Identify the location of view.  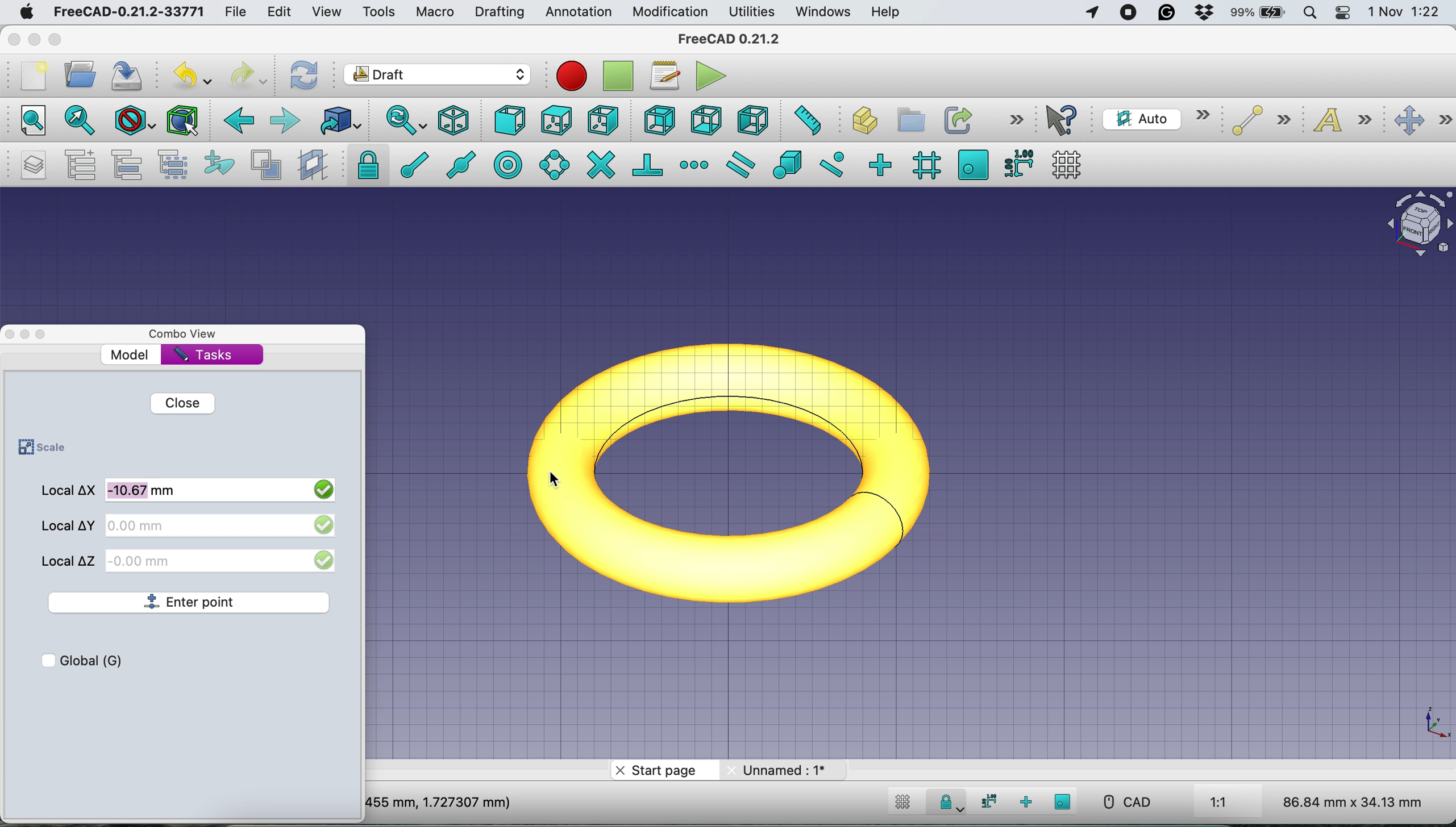
(326, 13).